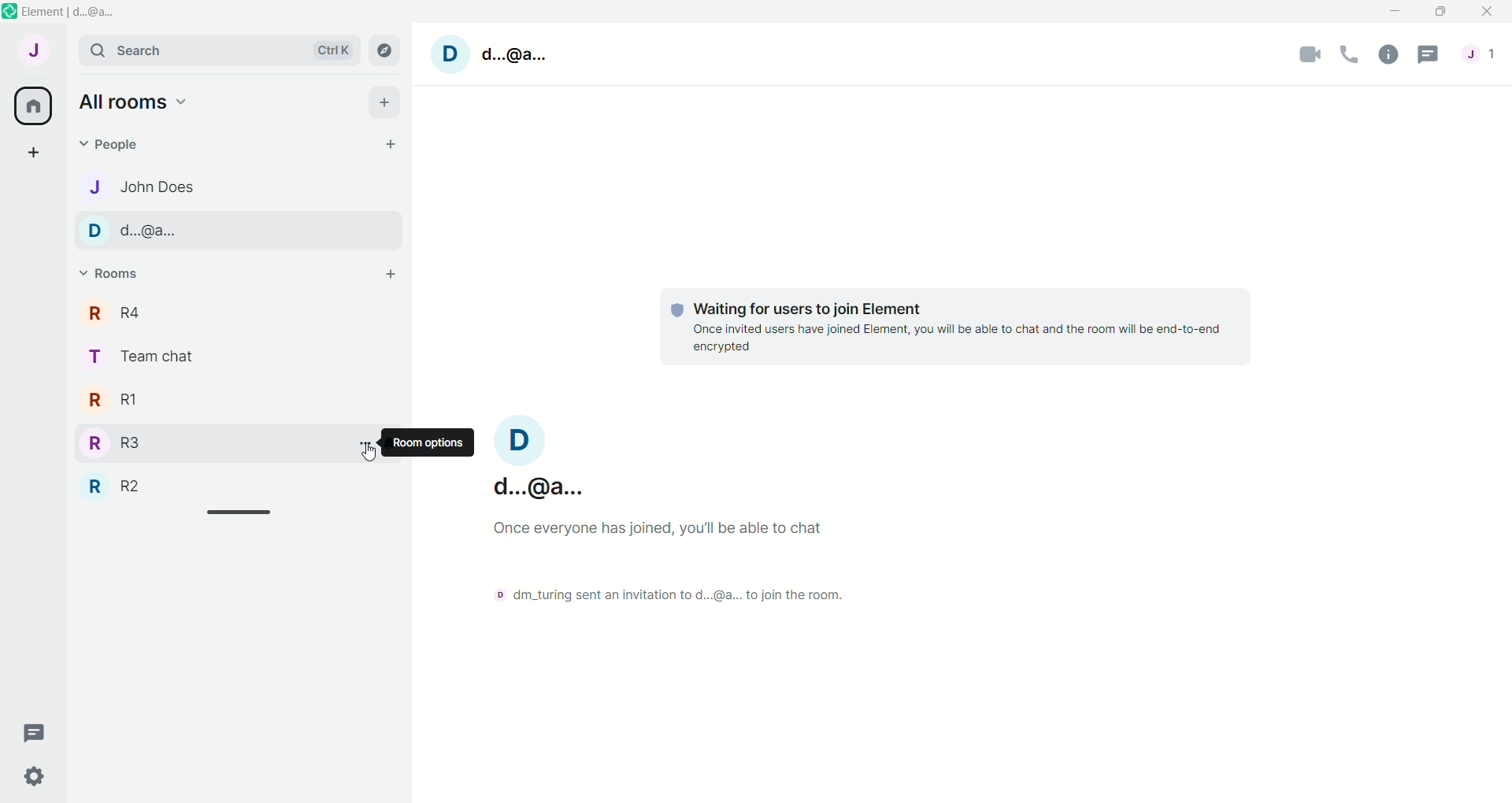 The height and width of the screenshot is (803, 1512). Describe the element at coordinates (207, 442) in the screenshot. I see `R3` at that location.